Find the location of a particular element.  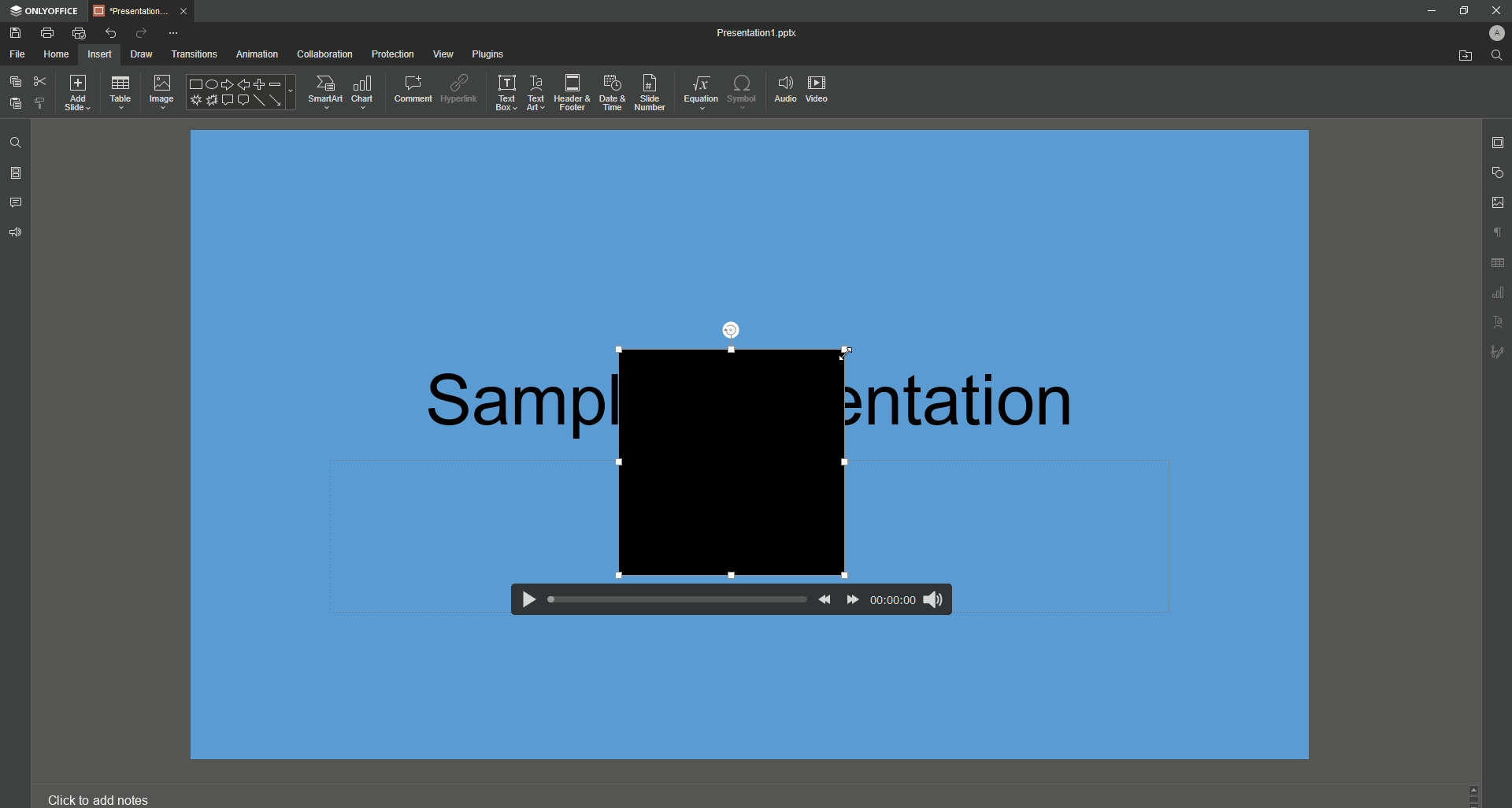

Quick Print is located at coordinates (80, 32).